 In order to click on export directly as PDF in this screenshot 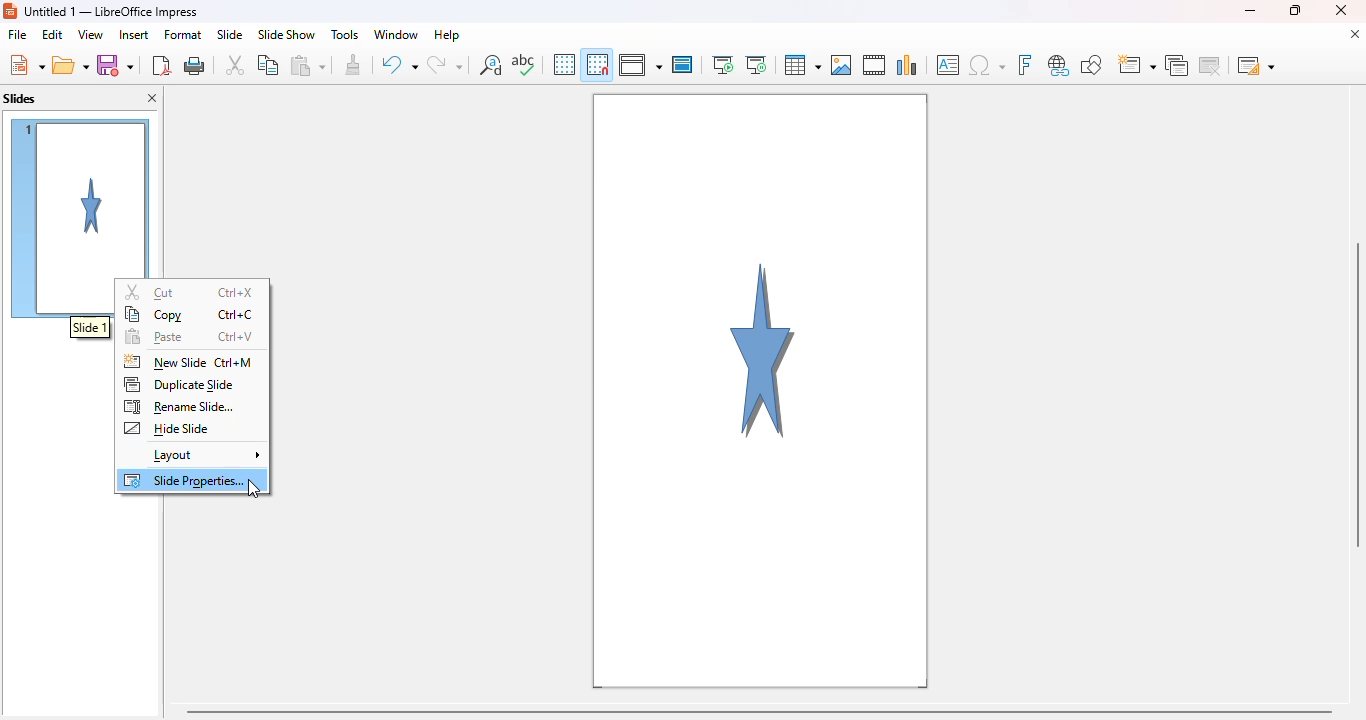, I will do `click(161, 64)`.